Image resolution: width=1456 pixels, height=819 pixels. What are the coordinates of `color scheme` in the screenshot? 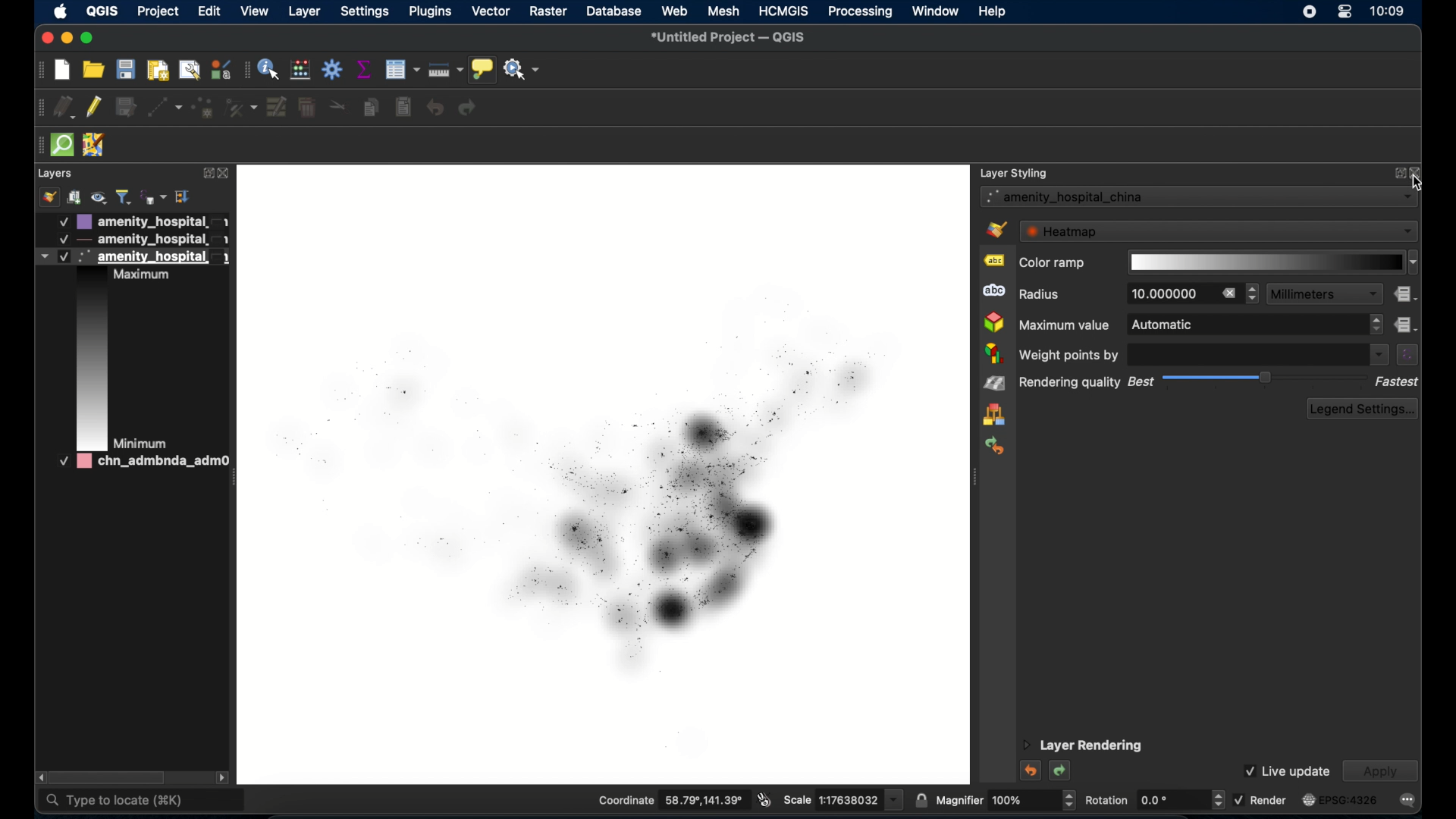 It's located at (90, 358).